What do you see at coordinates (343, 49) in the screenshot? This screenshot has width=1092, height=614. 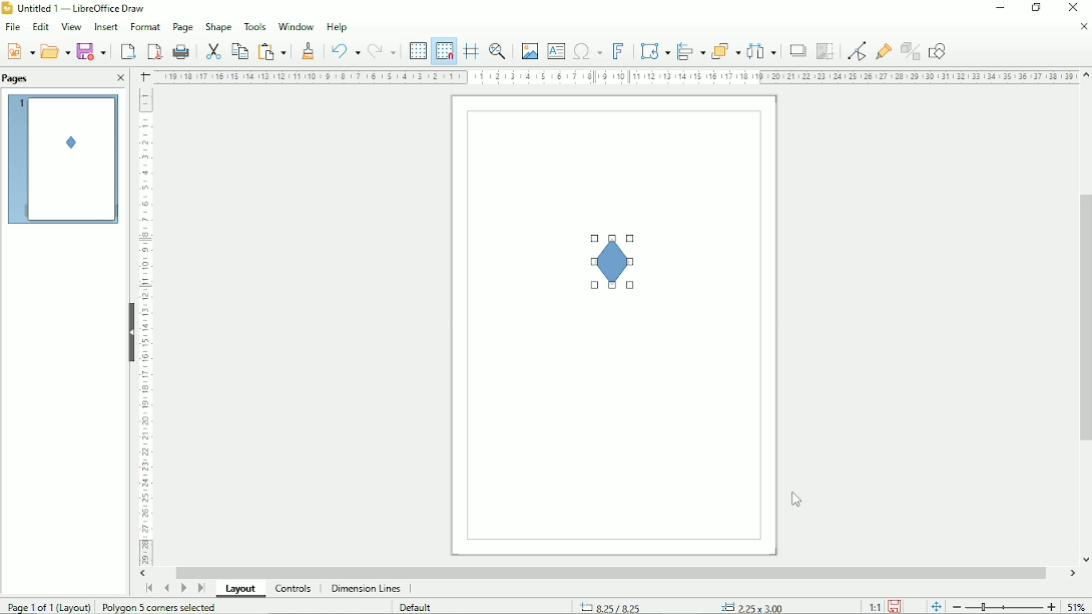 I see `Undo` at bounding box center [343, 49].